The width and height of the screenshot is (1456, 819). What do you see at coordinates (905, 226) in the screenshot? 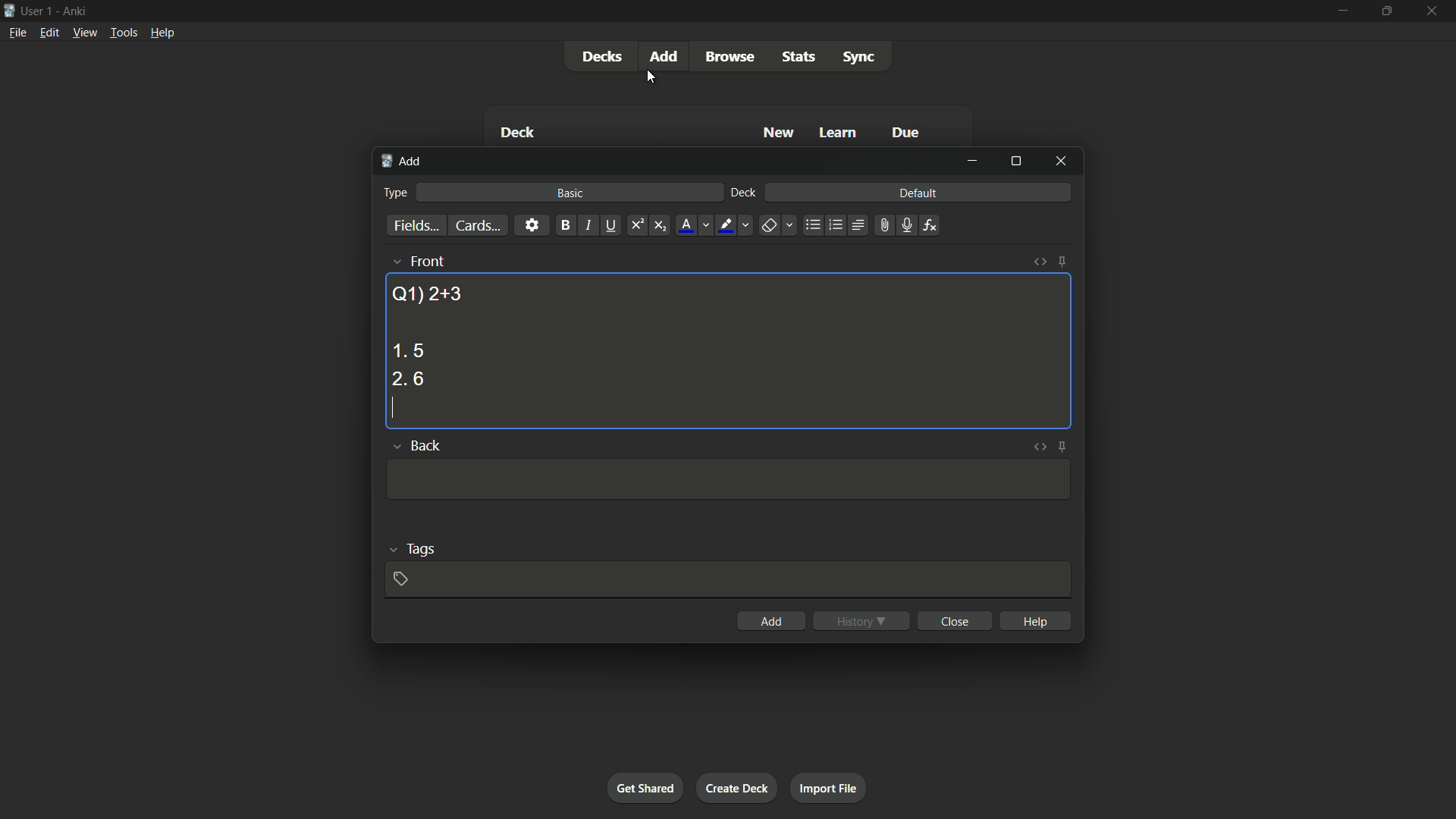
I see `record audio` at bounding box center [905, 226].